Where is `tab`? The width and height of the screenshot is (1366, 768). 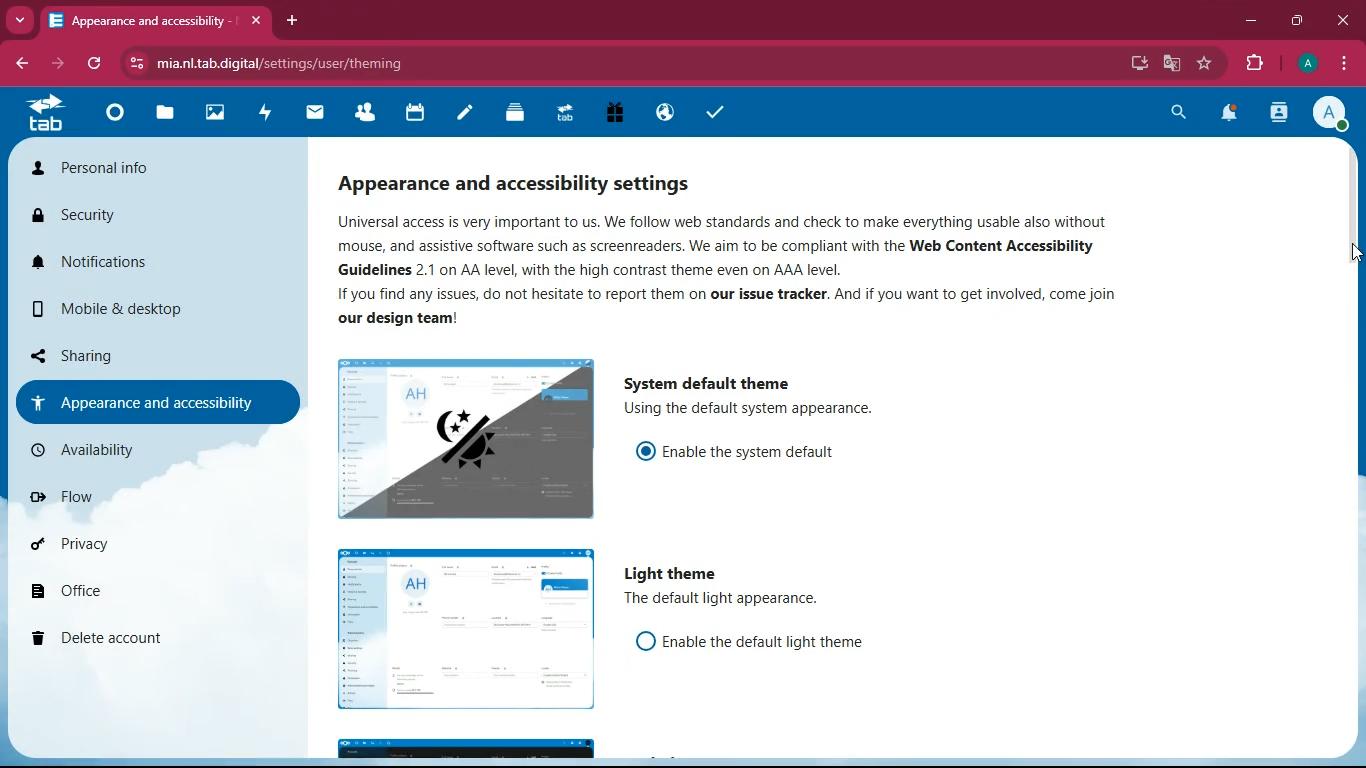 tab is located at coordinates (138, 20).